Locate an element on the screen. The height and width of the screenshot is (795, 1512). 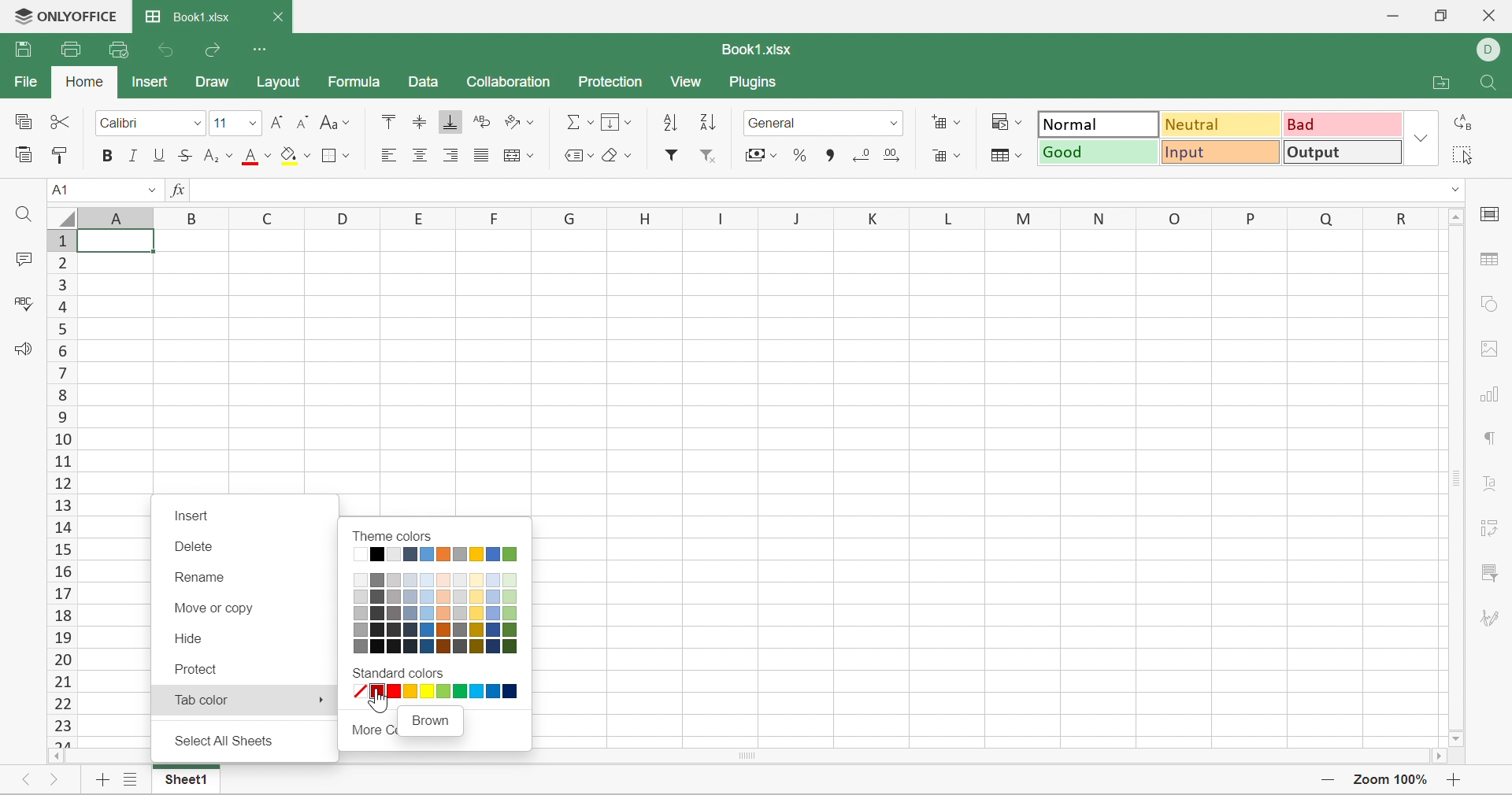
Hide is located at coordinates (195, 639).